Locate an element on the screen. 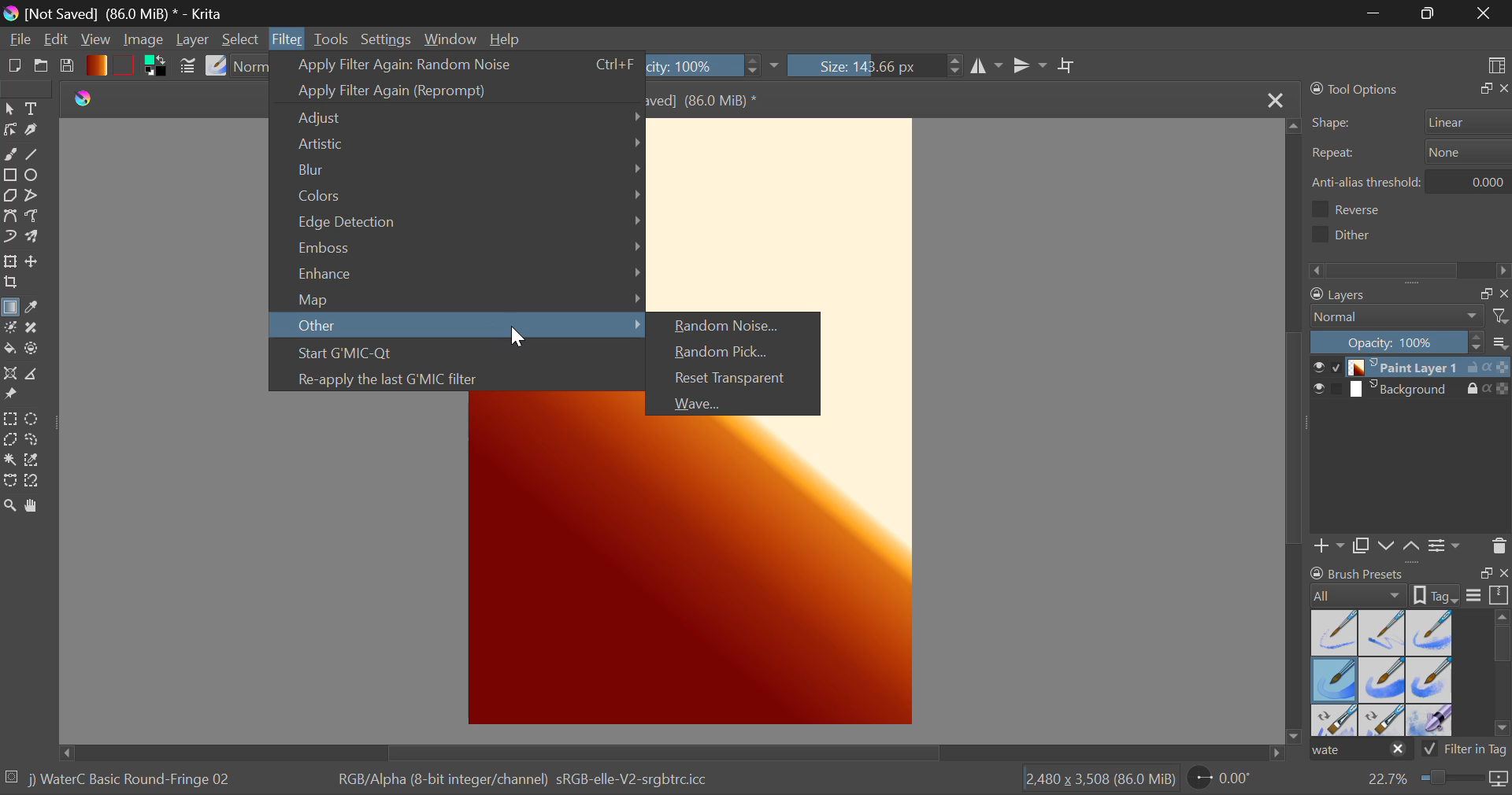 The width and height of the screenshot is (1512, 795). Enclose and Fill is located at coordinates (36, 349).